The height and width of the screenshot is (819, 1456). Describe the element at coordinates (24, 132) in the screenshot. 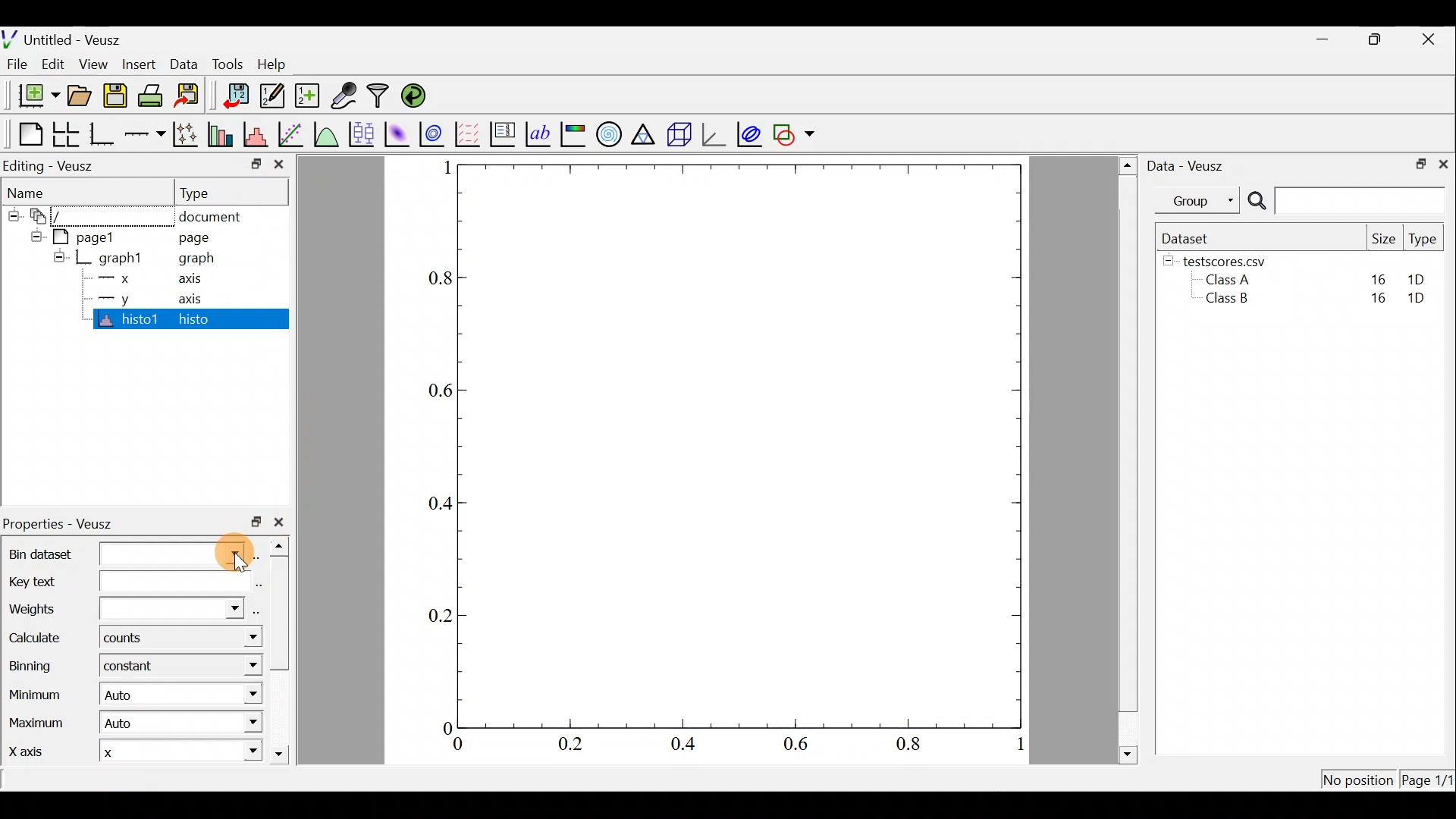

I see `Blank page` at that location.